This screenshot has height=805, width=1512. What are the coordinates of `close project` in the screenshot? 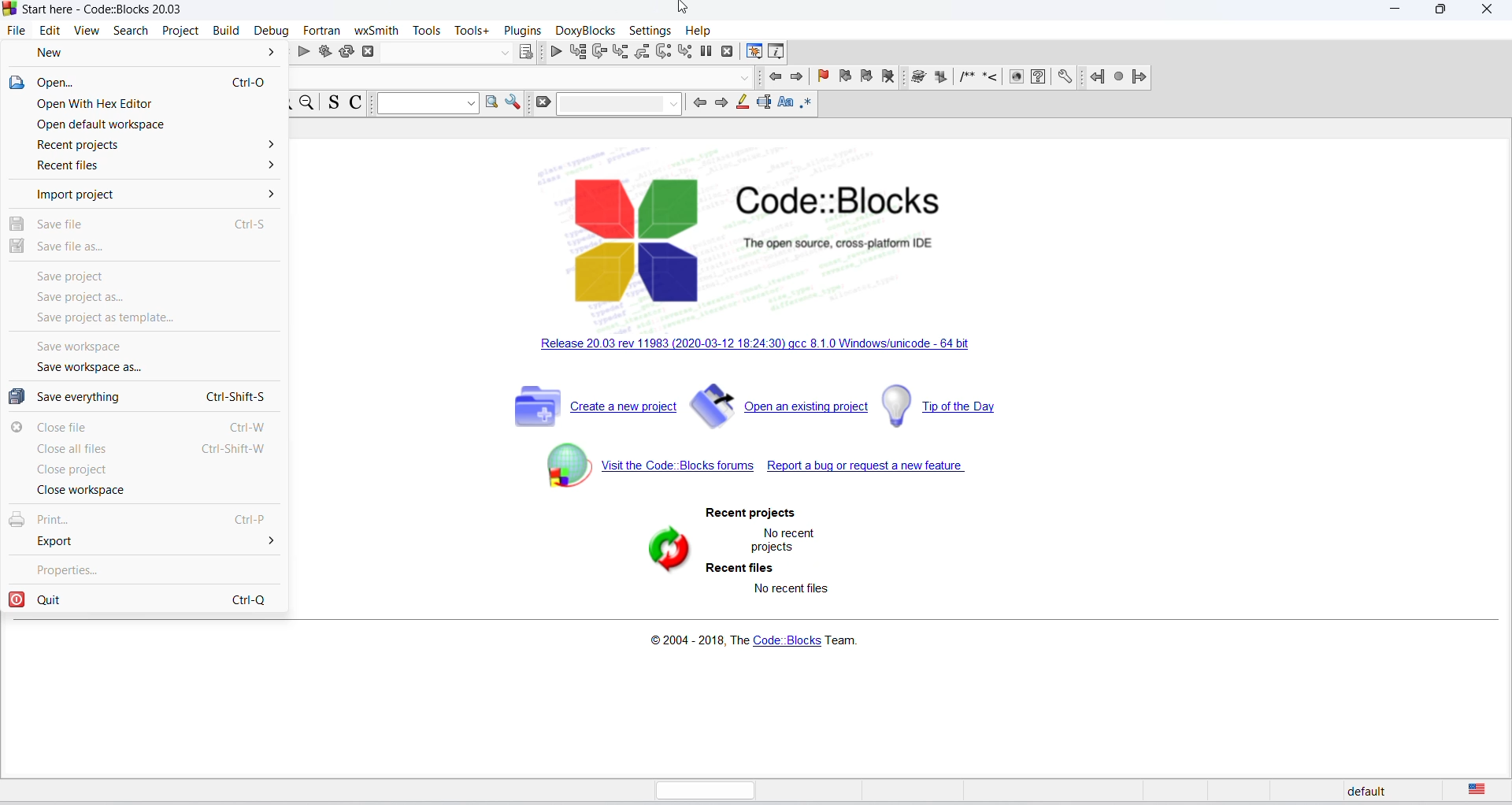 It's located at (144, 469).